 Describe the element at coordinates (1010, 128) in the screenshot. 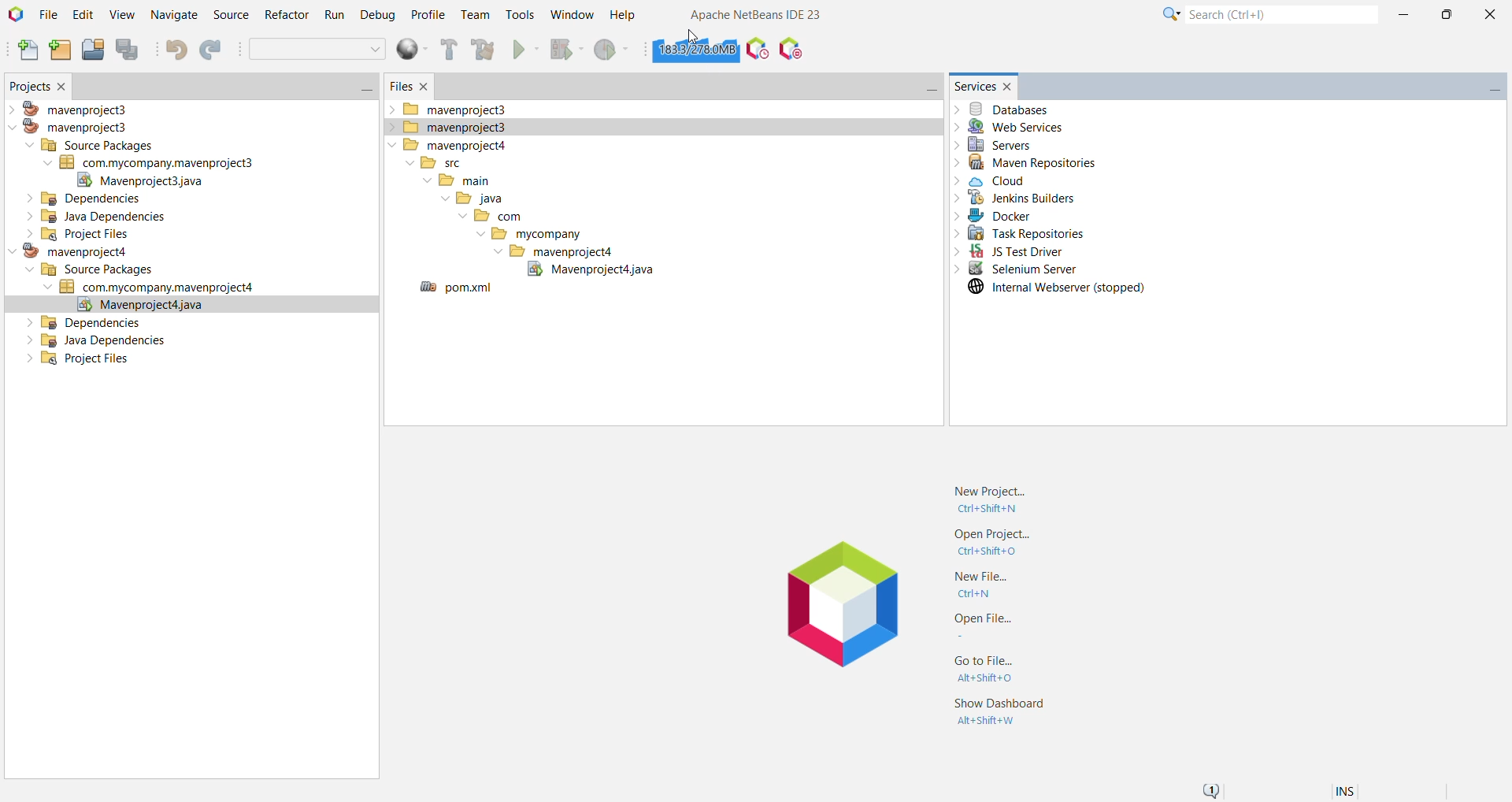

I see `Web Services` at that location.